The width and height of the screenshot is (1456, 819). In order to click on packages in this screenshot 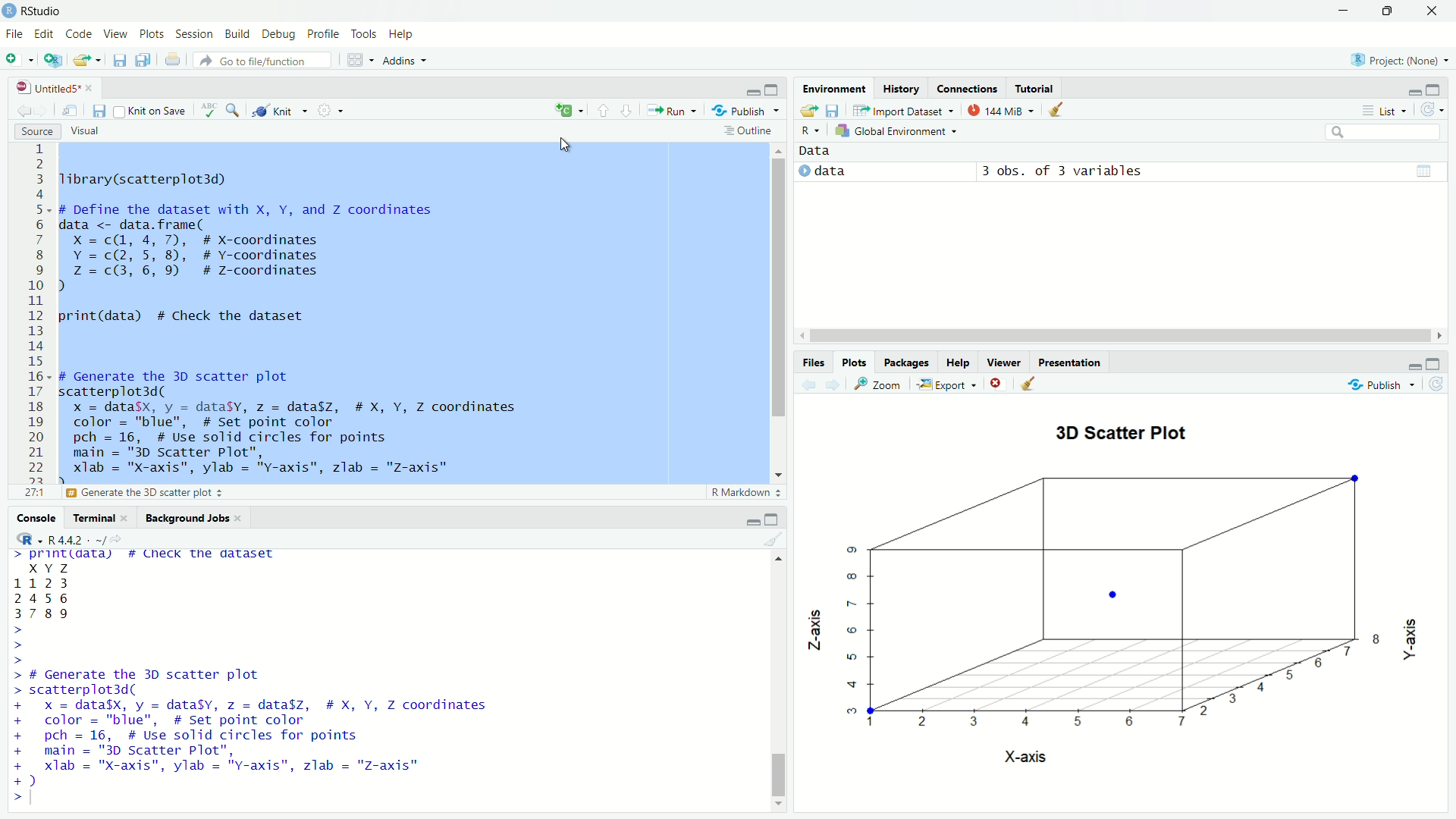, I will do `click(905, 362)`.